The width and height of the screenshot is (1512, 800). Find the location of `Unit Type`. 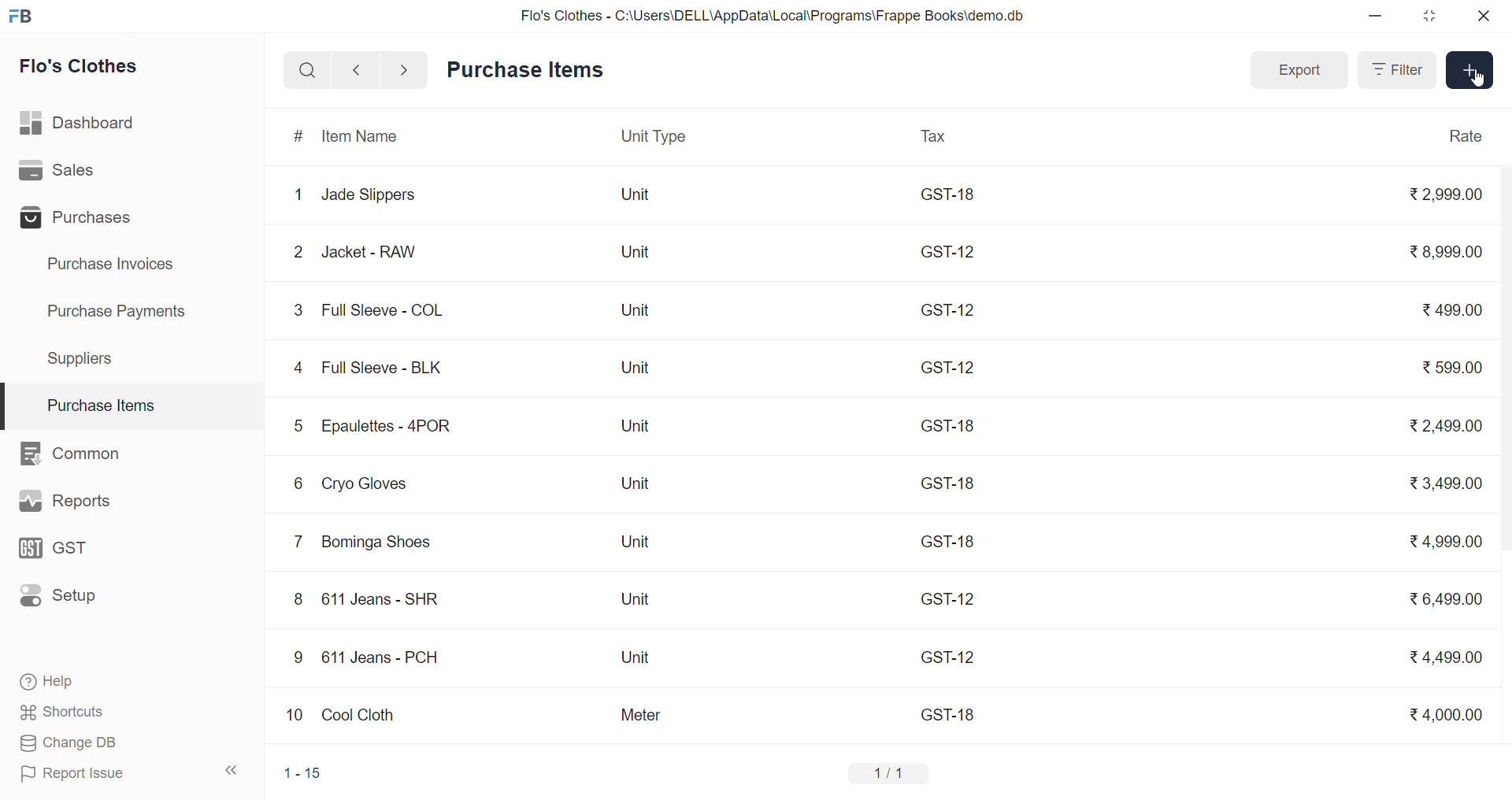

Unit Type is located at coordinates (653, 139).